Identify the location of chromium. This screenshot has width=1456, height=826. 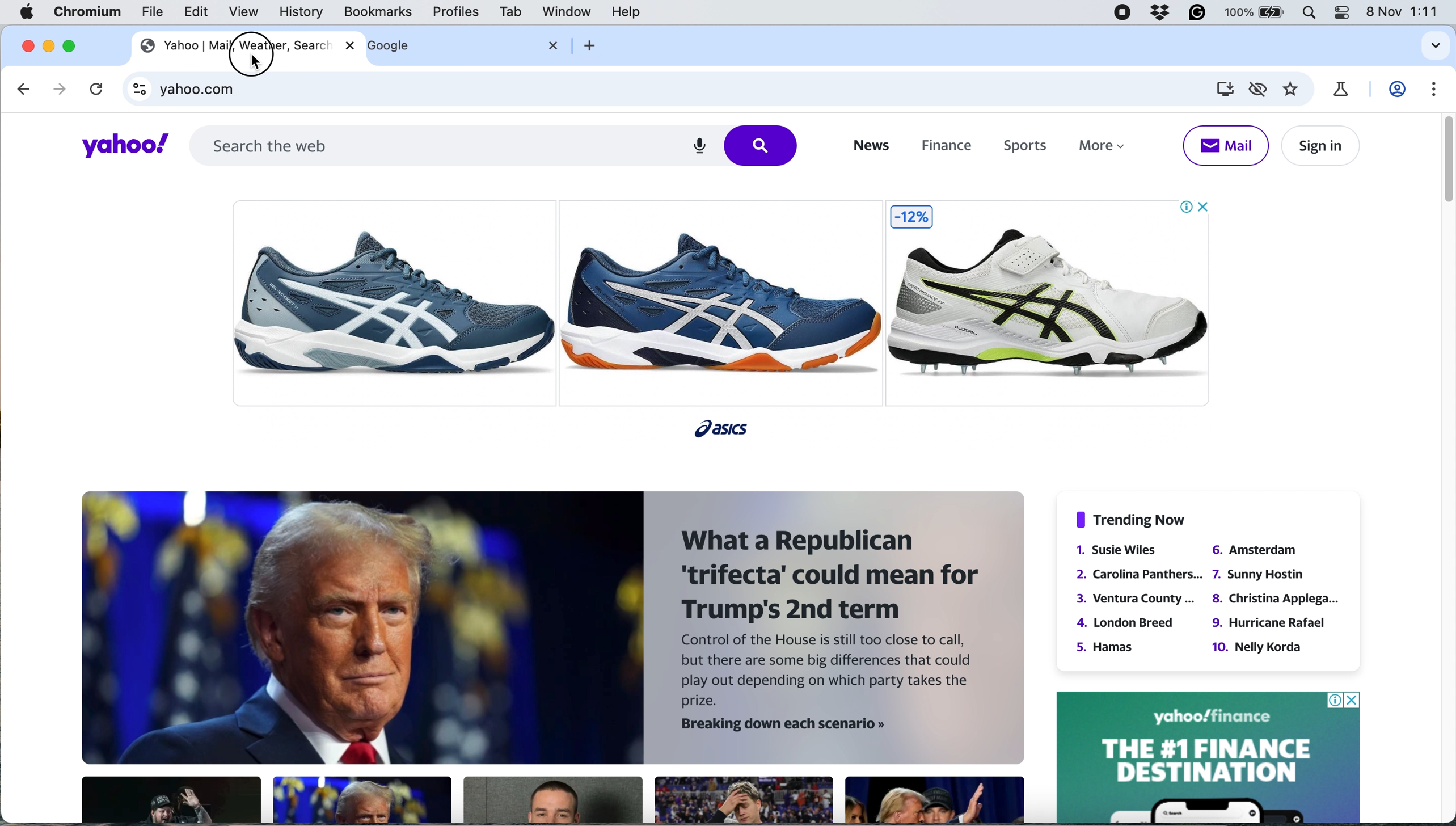
(88, 12).